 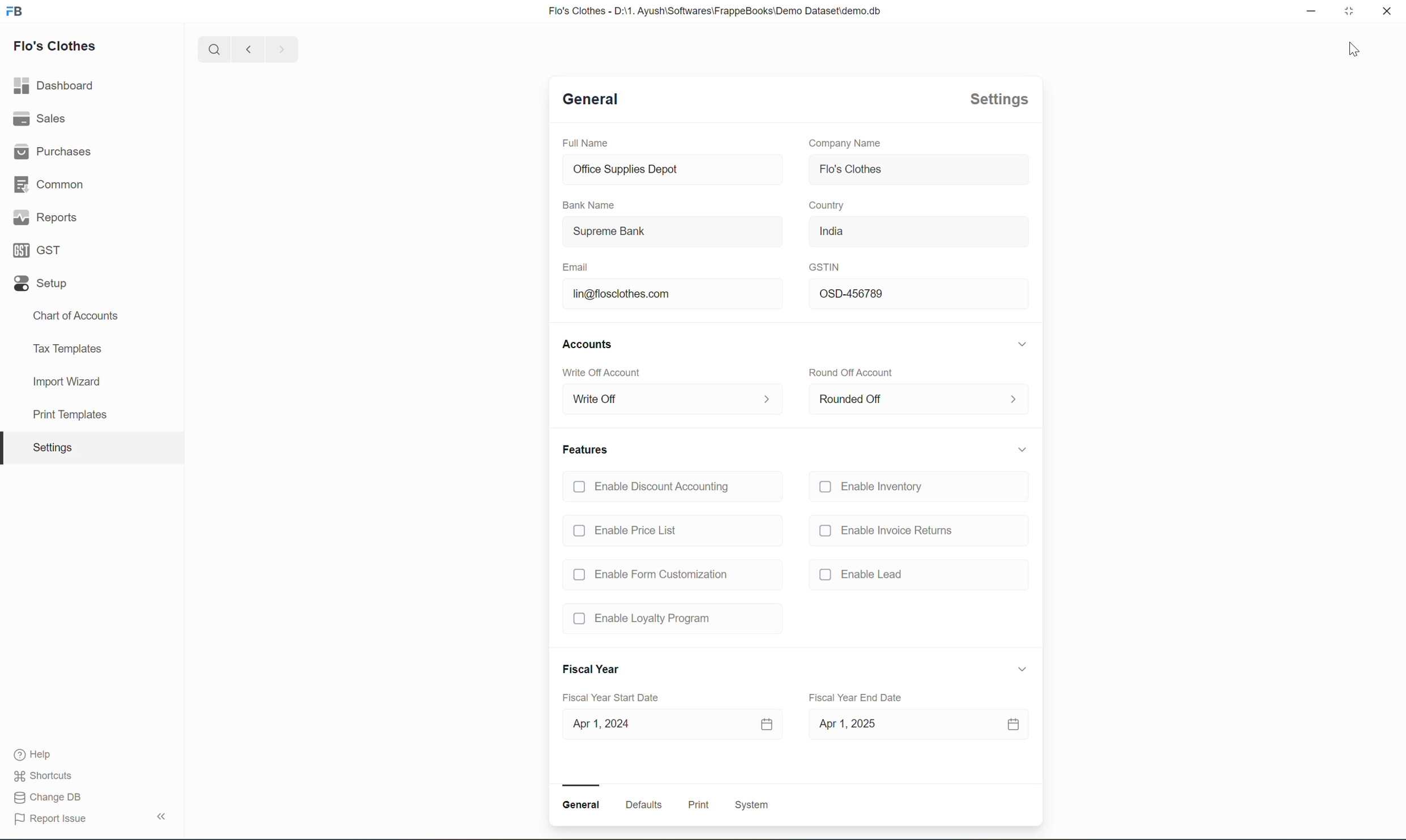 What do you see at coordinates (875, 488) in the screenshot?
I see `Enable Inventory` at bounding box center [875, 488].